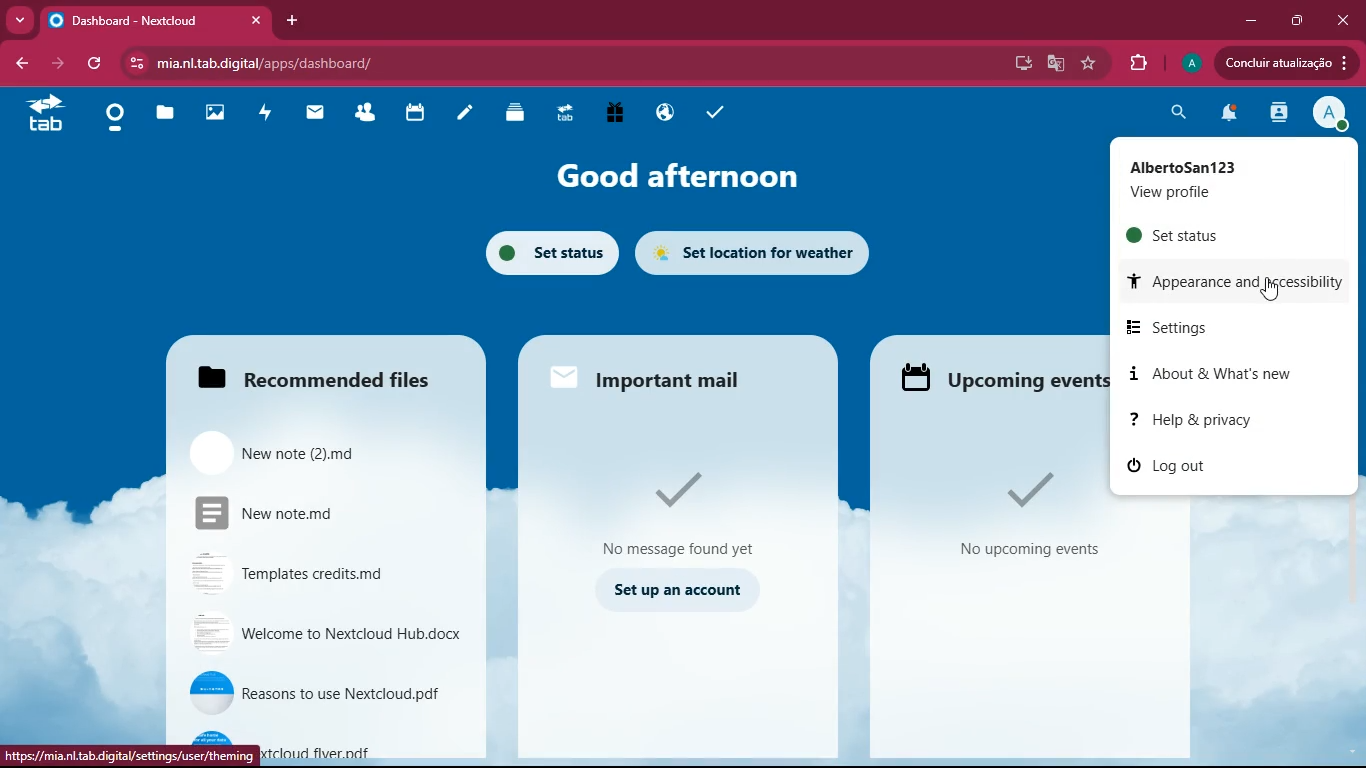  Describe the element at coordinates (569, 114) in the screenshot. I see `tab` at that location.